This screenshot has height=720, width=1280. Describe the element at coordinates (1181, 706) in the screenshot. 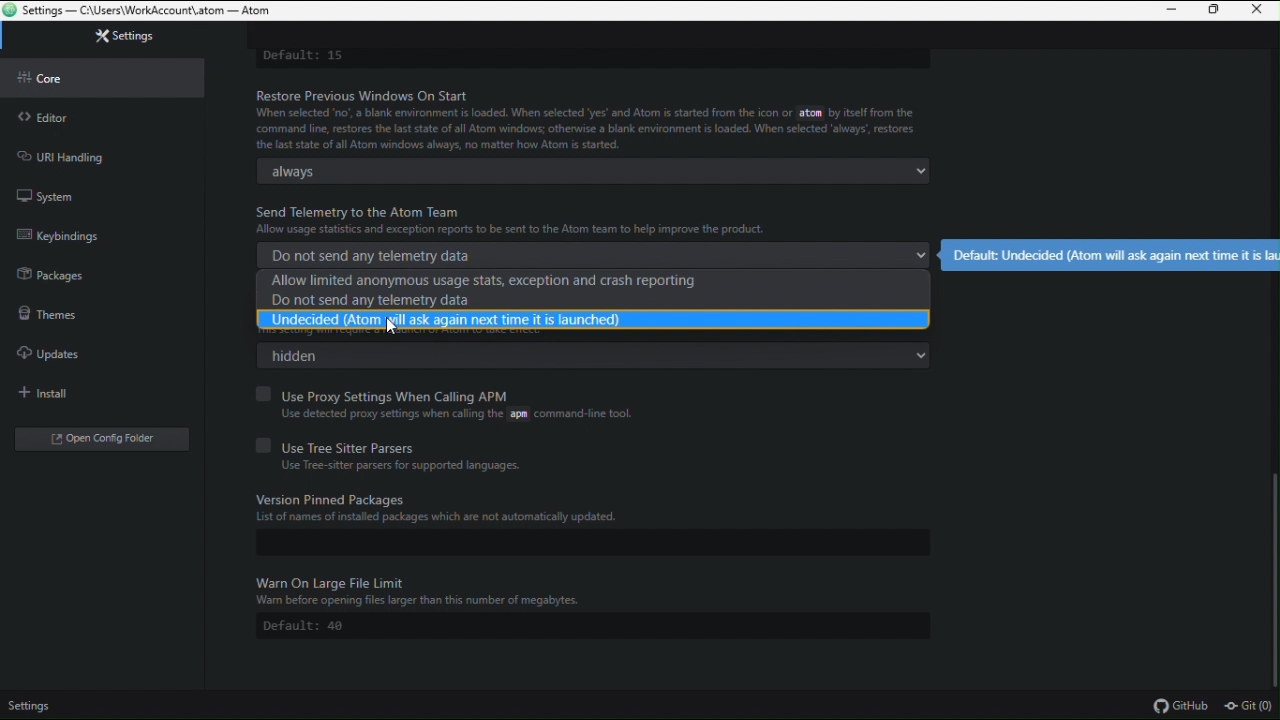

I see `github` at that location.